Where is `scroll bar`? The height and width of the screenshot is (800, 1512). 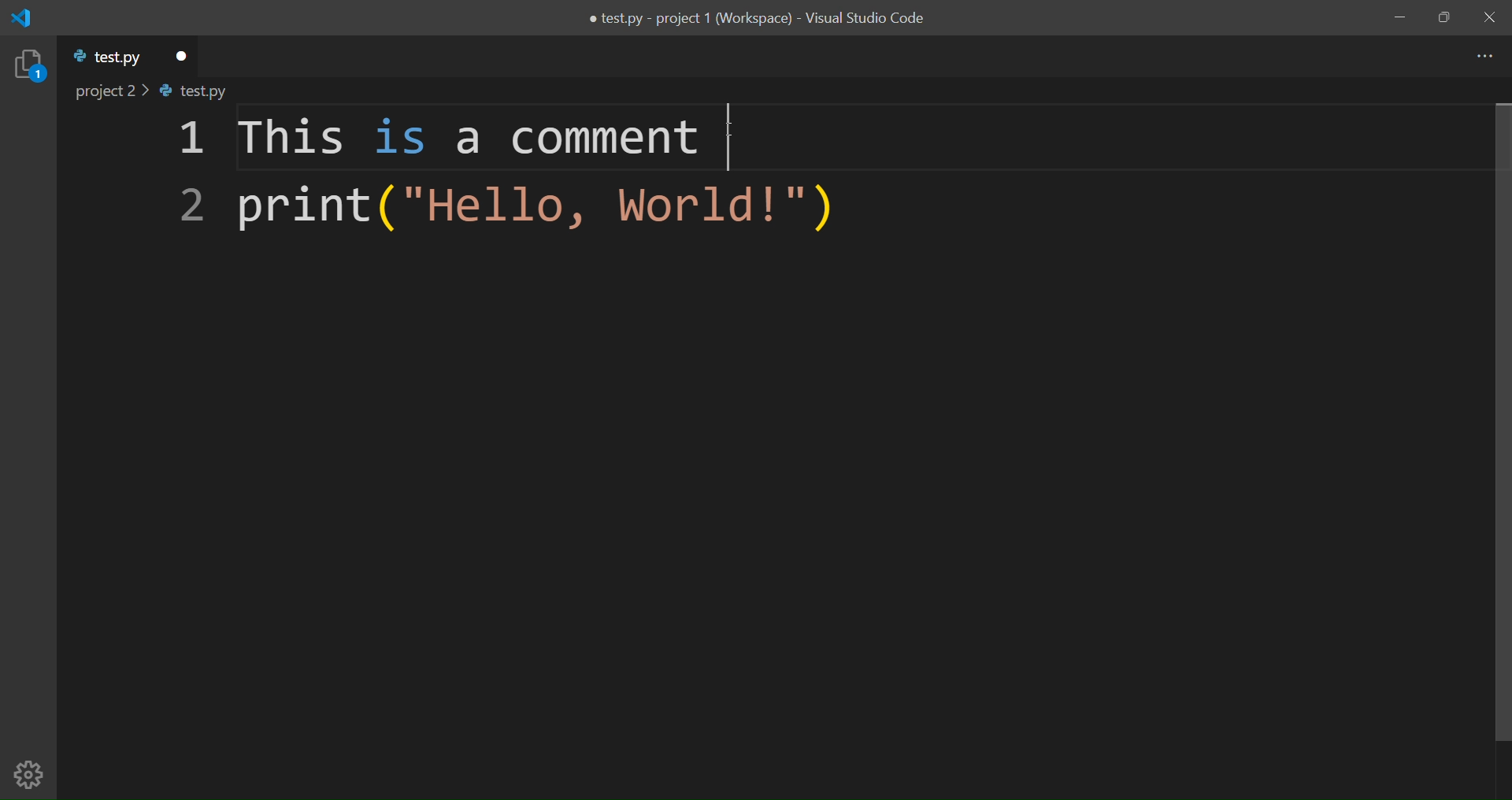
scroll bar is located at coordinates (1488, 422).